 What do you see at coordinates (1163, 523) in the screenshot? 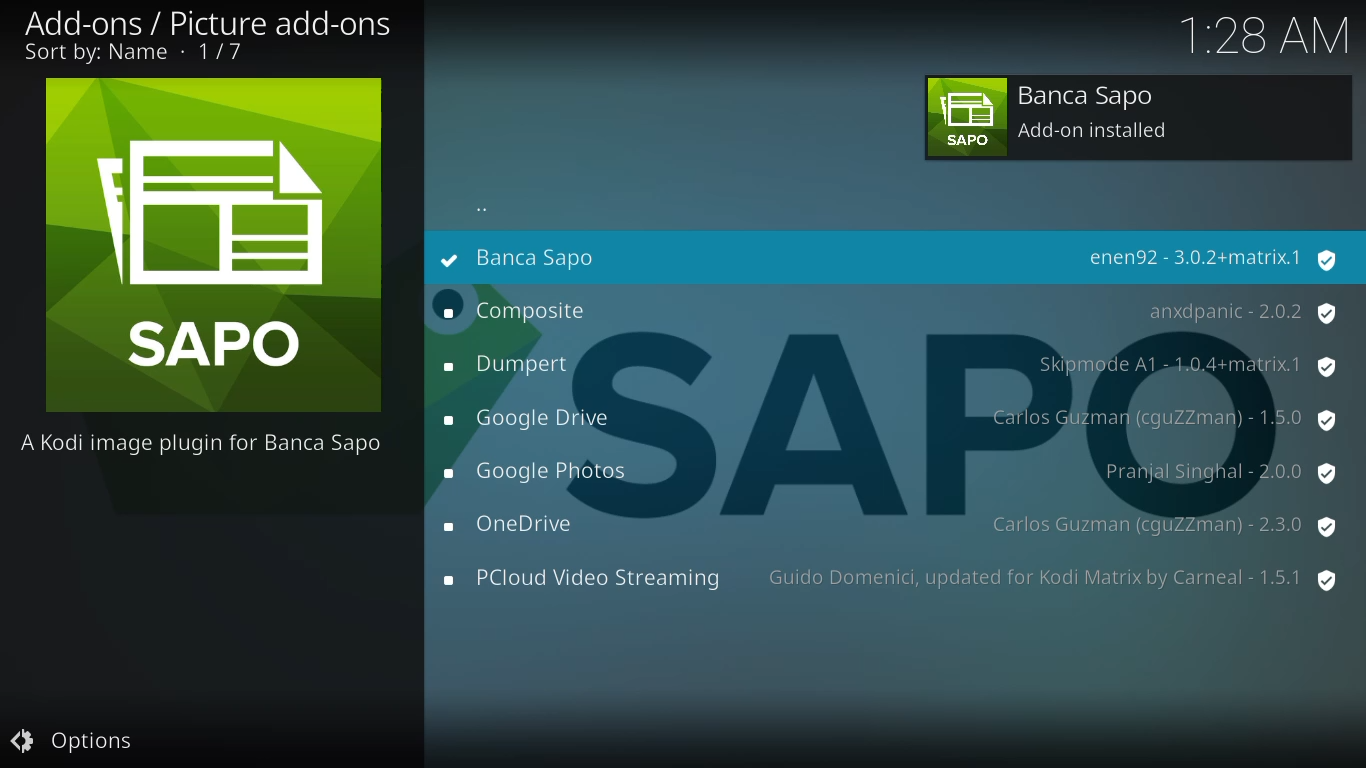
I see `version` at bounding box center [1163, 523].